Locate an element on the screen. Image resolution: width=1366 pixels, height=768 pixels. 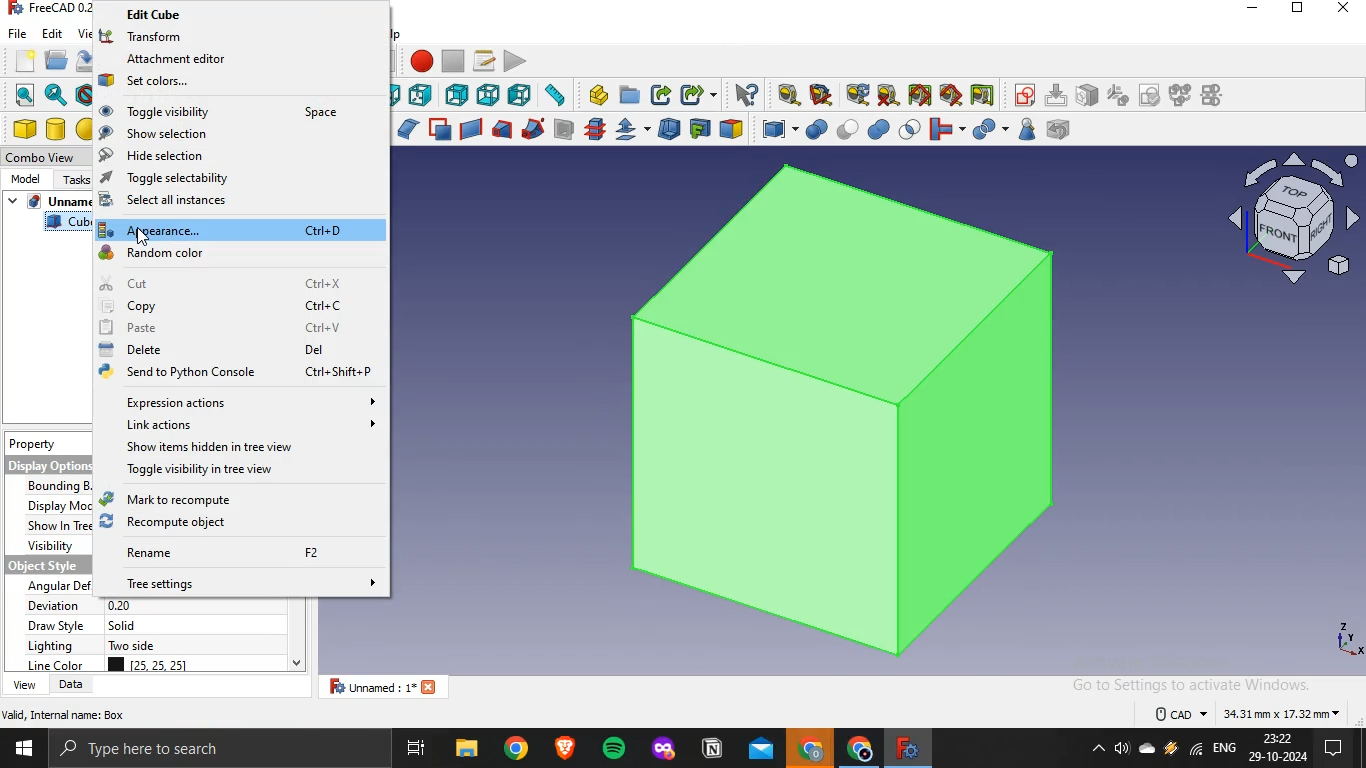
right is located at coordinates (420, 96).